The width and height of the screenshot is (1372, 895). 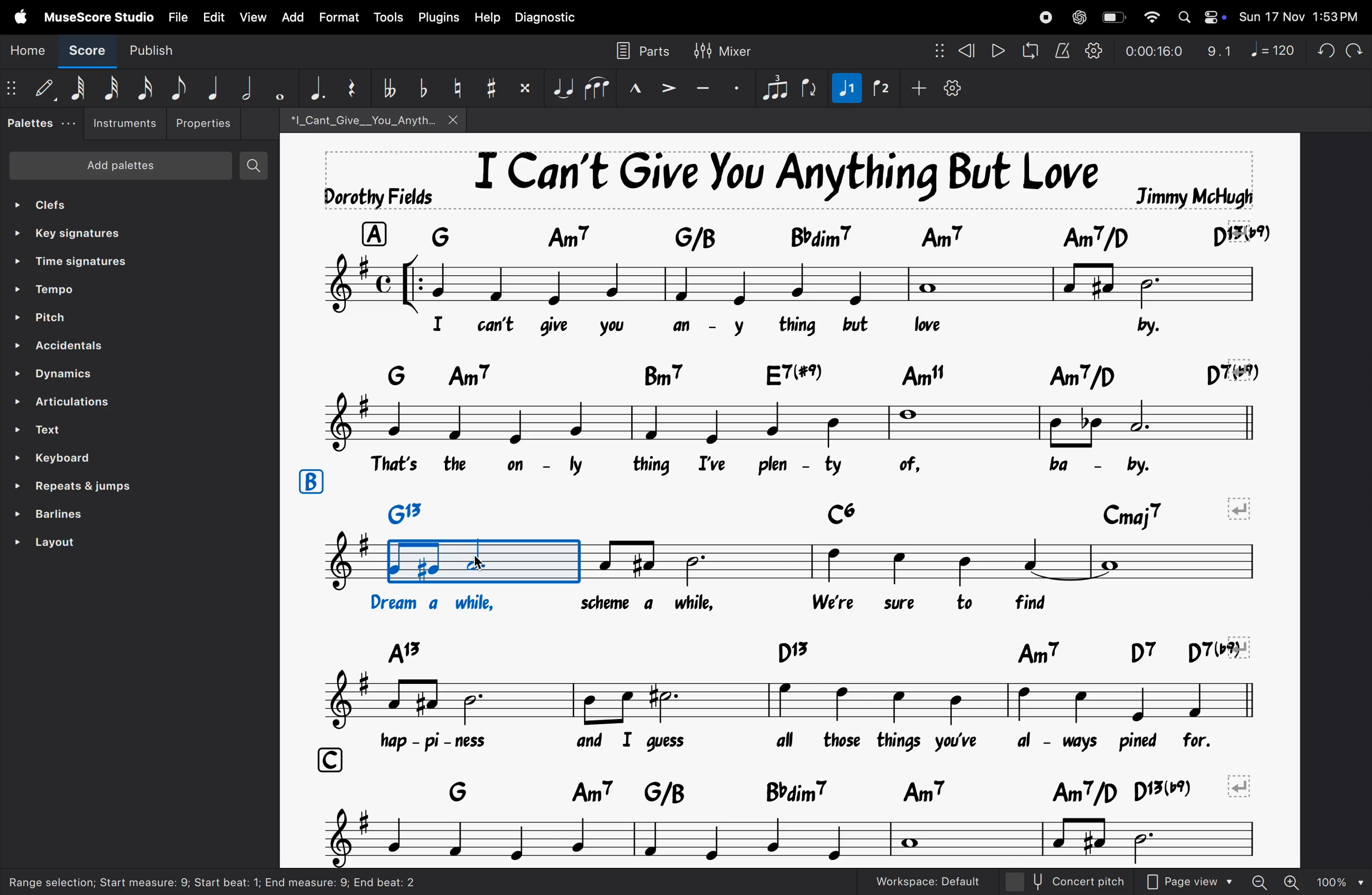 What do you see at coordinates (783, 701) in the screenshot?
I see `notes` at bounding box center [783, 701].